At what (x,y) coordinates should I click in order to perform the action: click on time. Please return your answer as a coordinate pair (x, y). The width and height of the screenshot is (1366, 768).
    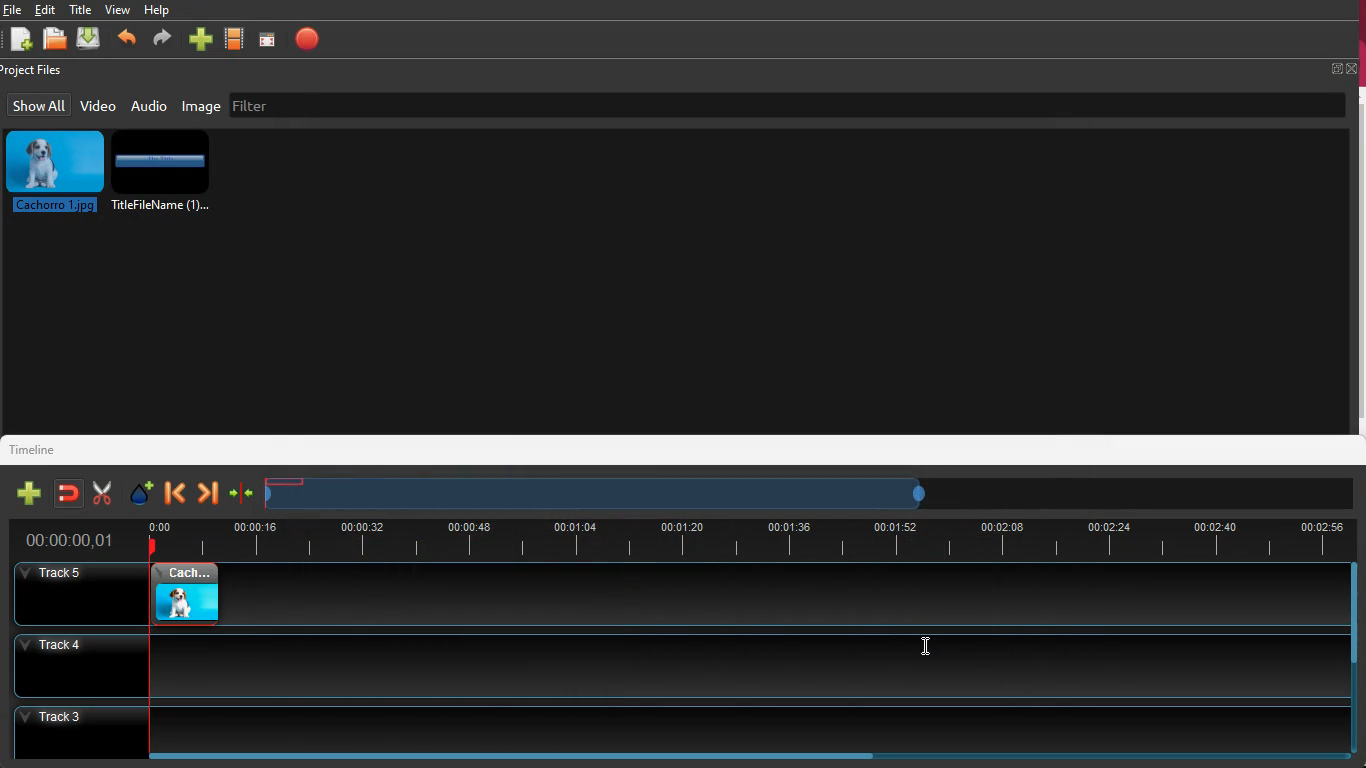
    Looking at the image, I should click on (747, 537).